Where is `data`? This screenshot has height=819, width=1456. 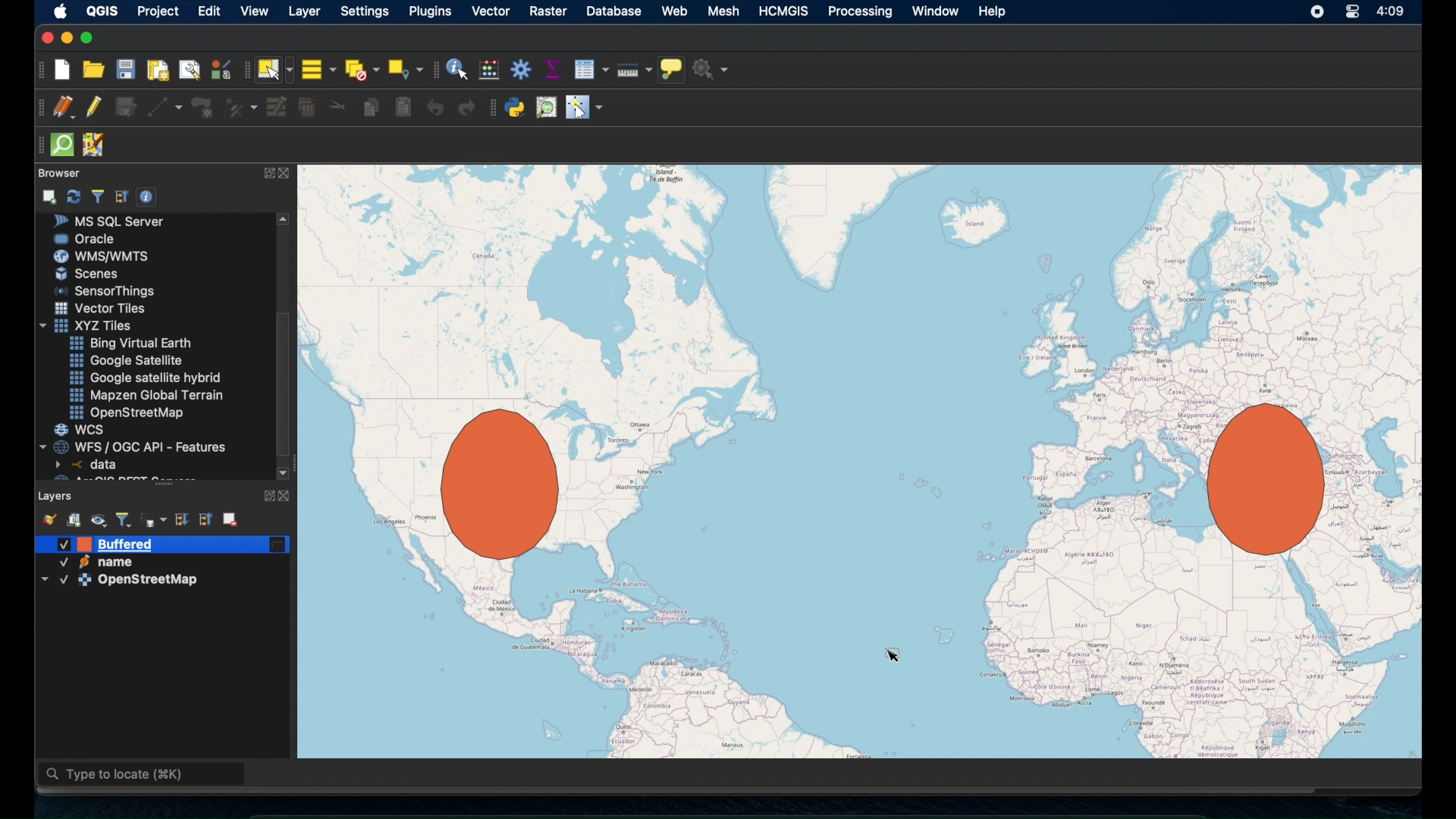 data is located at coordinates (89, 464).